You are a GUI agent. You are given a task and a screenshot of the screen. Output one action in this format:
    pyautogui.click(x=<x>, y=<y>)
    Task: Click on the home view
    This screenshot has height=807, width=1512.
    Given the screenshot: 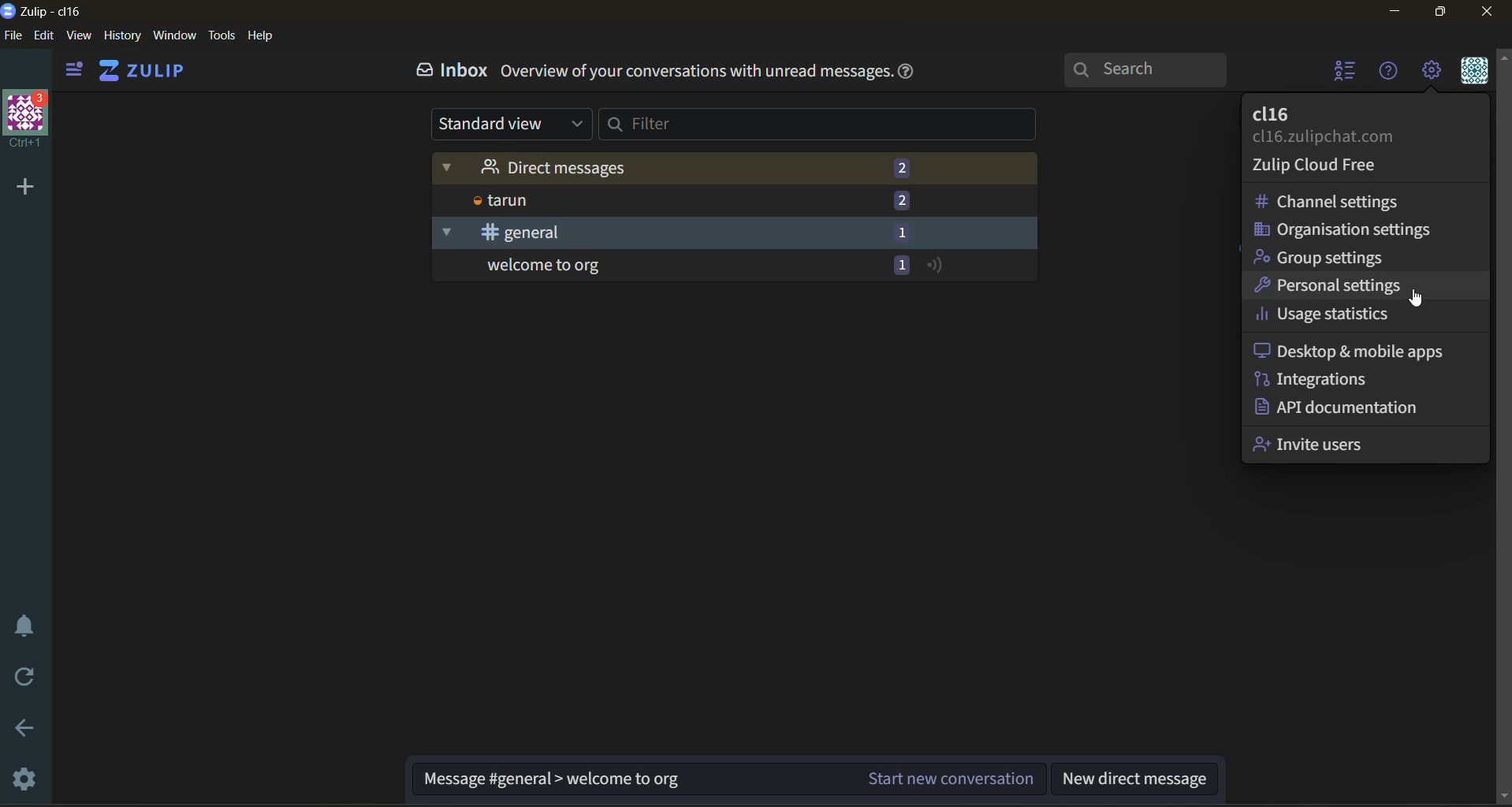 What is the action you would take?
    pyautogui.click(x=139, y=70)
    